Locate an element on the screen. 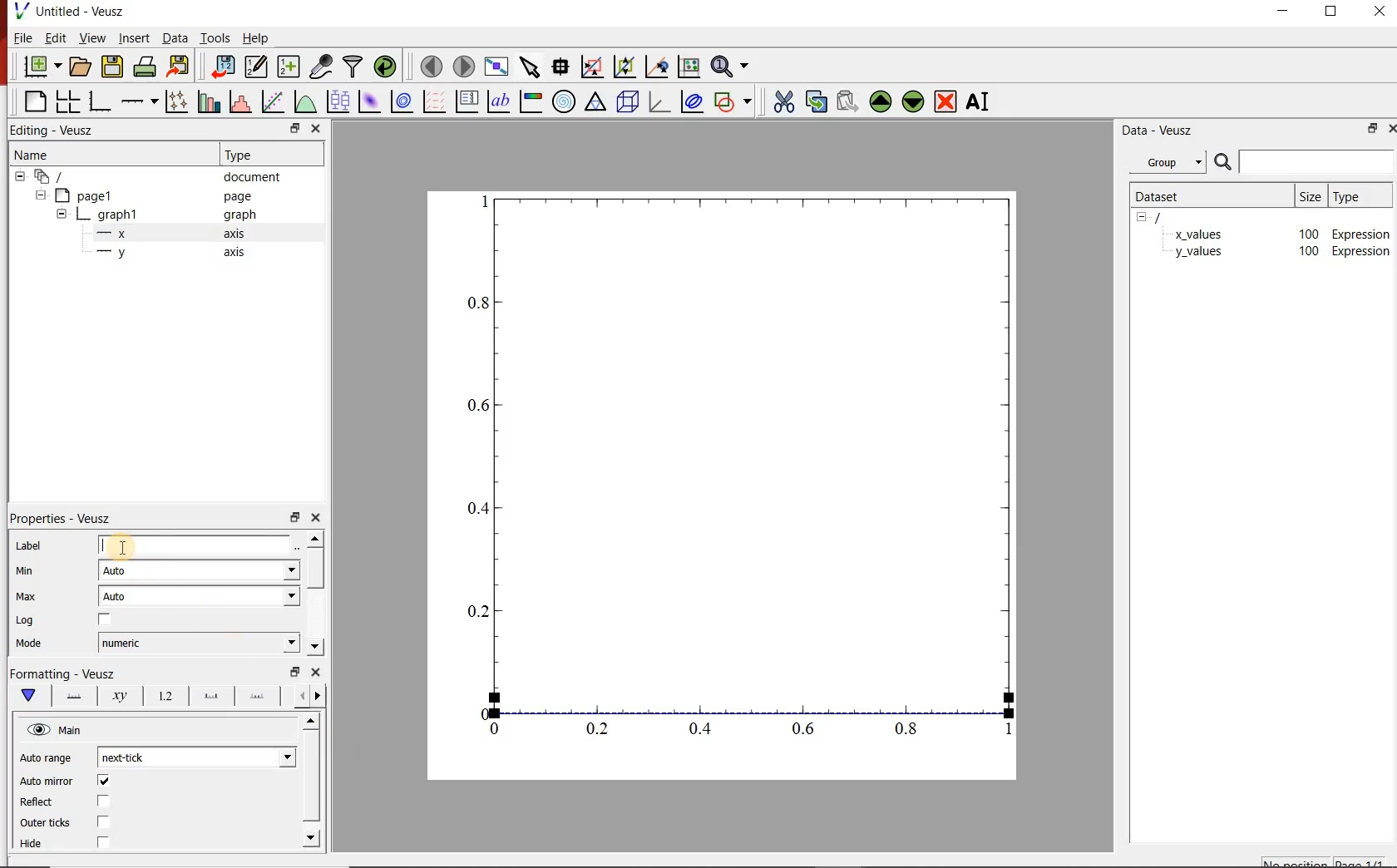  checkbox is located at coordinates (105, 800).